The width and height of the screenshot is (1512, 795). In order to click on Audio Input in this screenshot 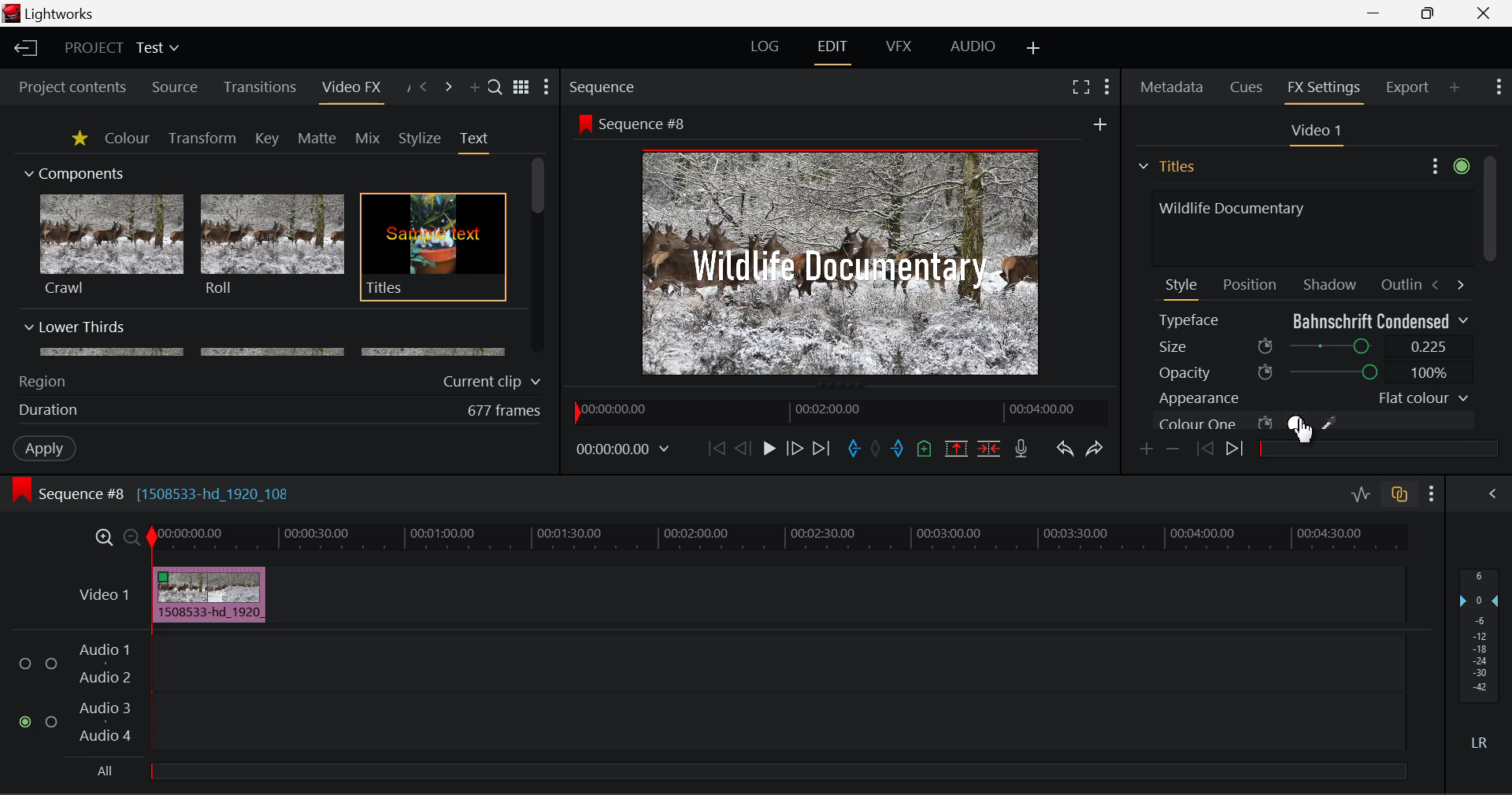, I will do `click(772, 695)`.